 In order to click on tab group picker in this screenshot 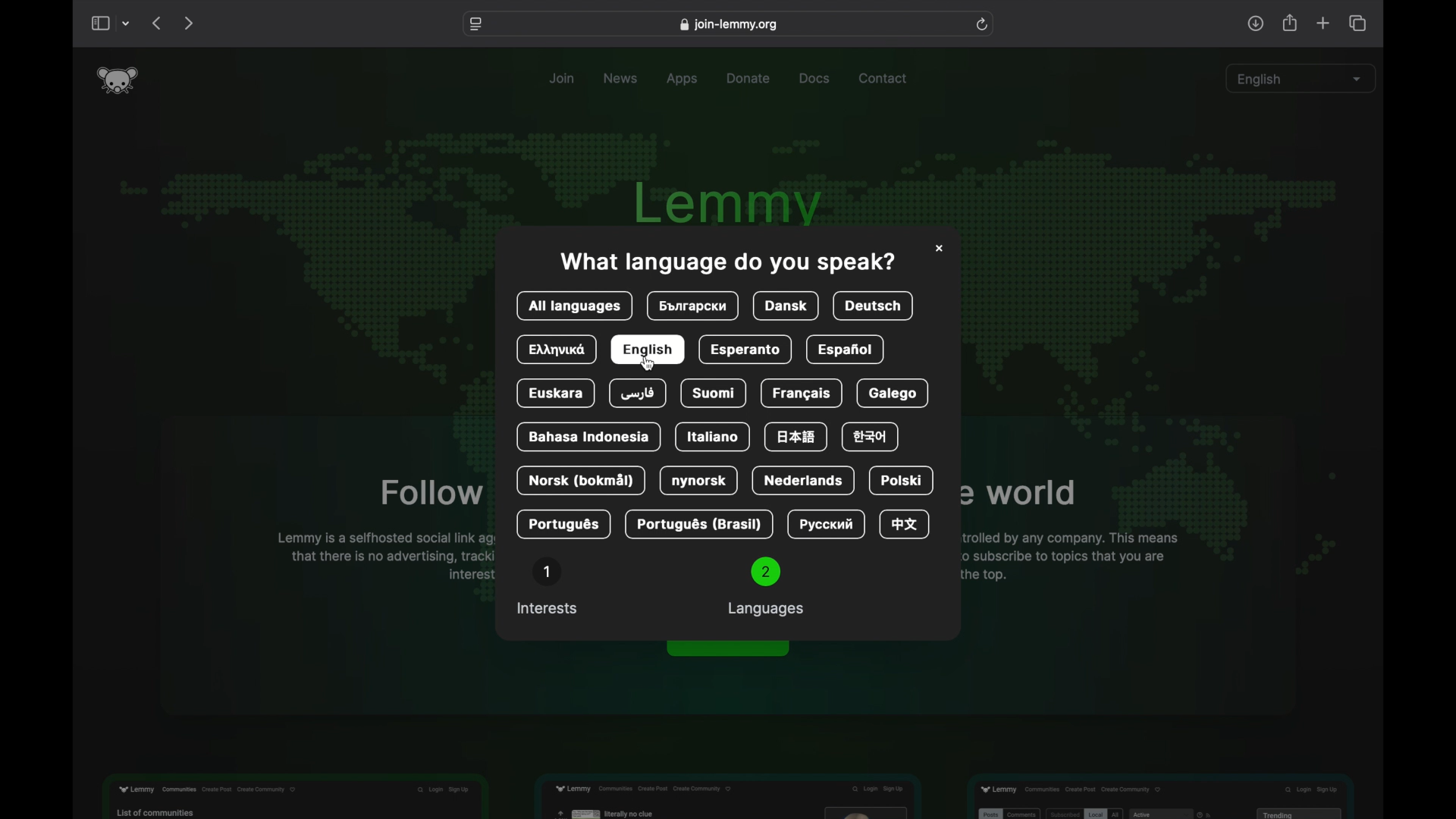, I will do `click(127, 24)`.